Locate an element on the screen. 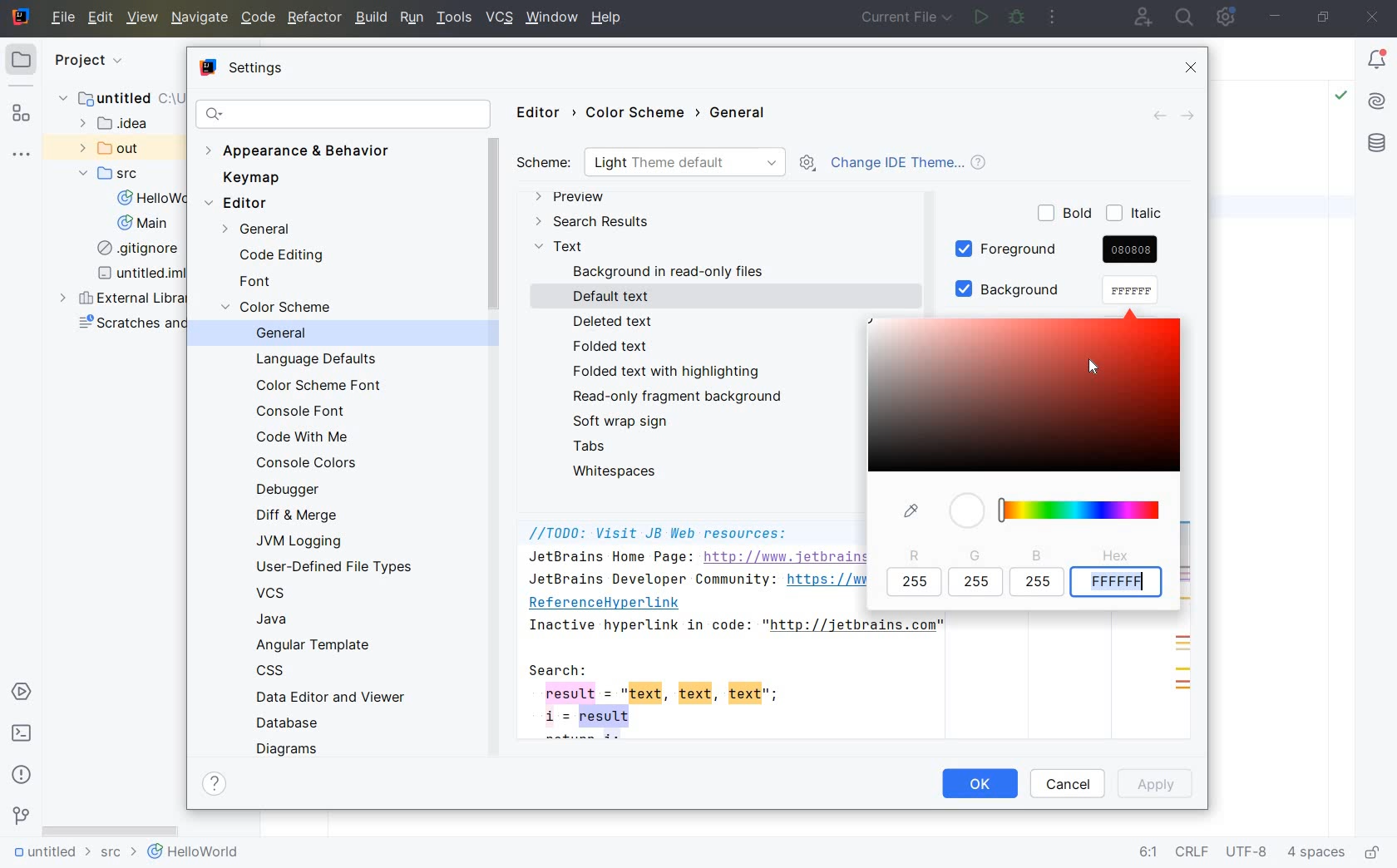 The image size is (1397, 868). PREVIEW is located at coordinates (573, 199).